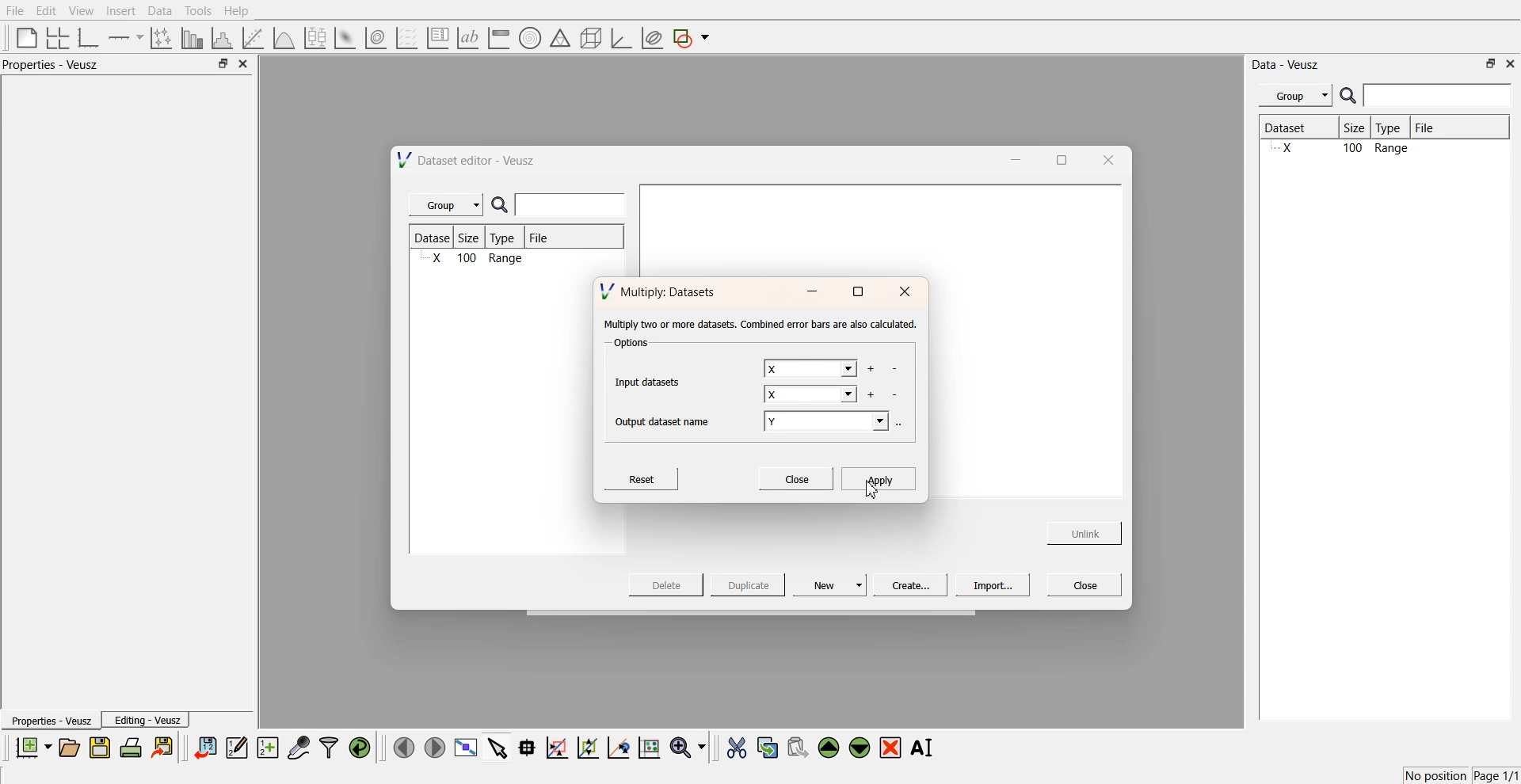  What do you see at coordinates (1107, 159) in the screenshot?
I see `close` at bounding box center [1107, 159].